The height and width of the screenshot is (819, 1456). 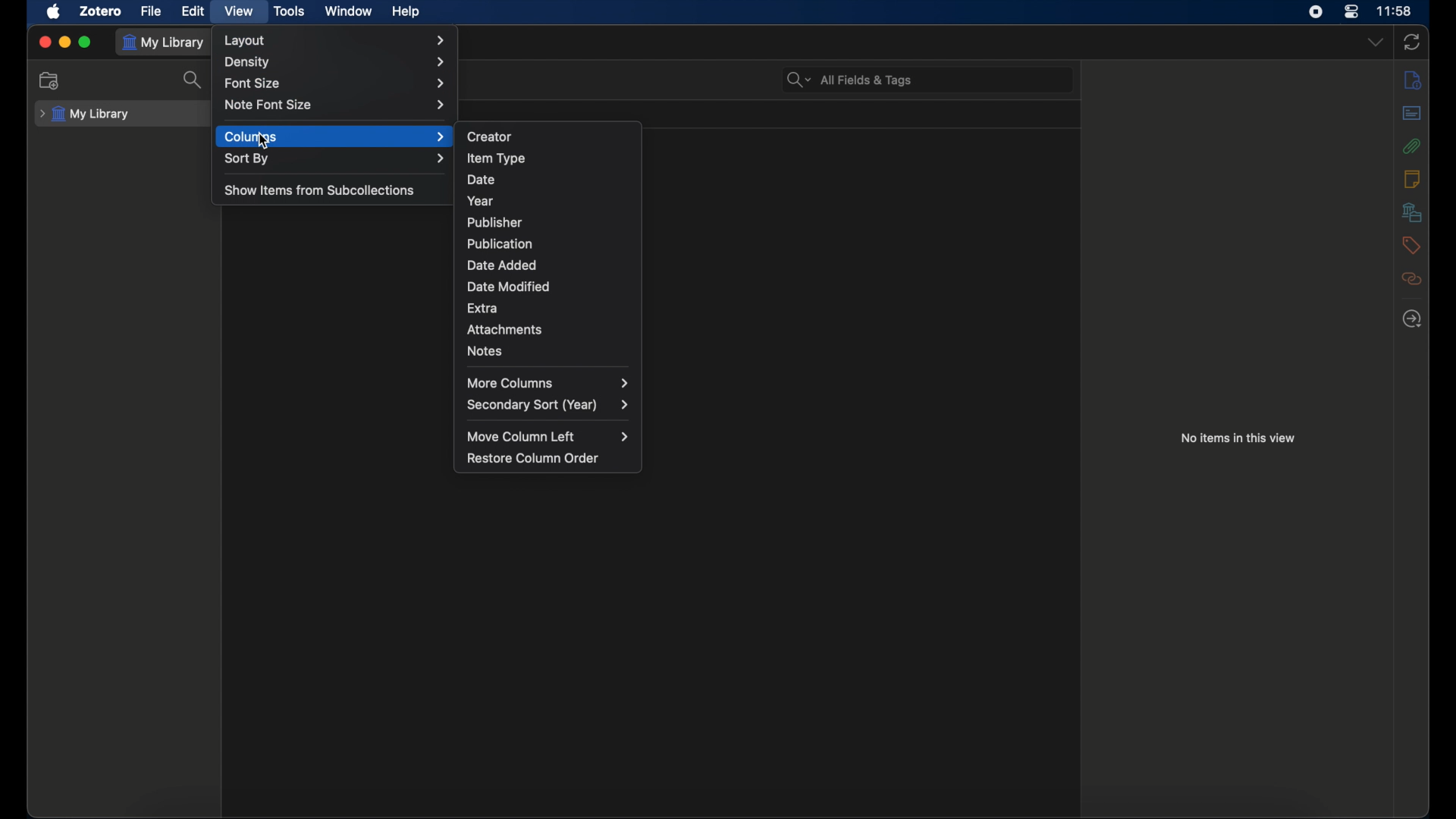 I want to click on window, so click(x=350, y=11).